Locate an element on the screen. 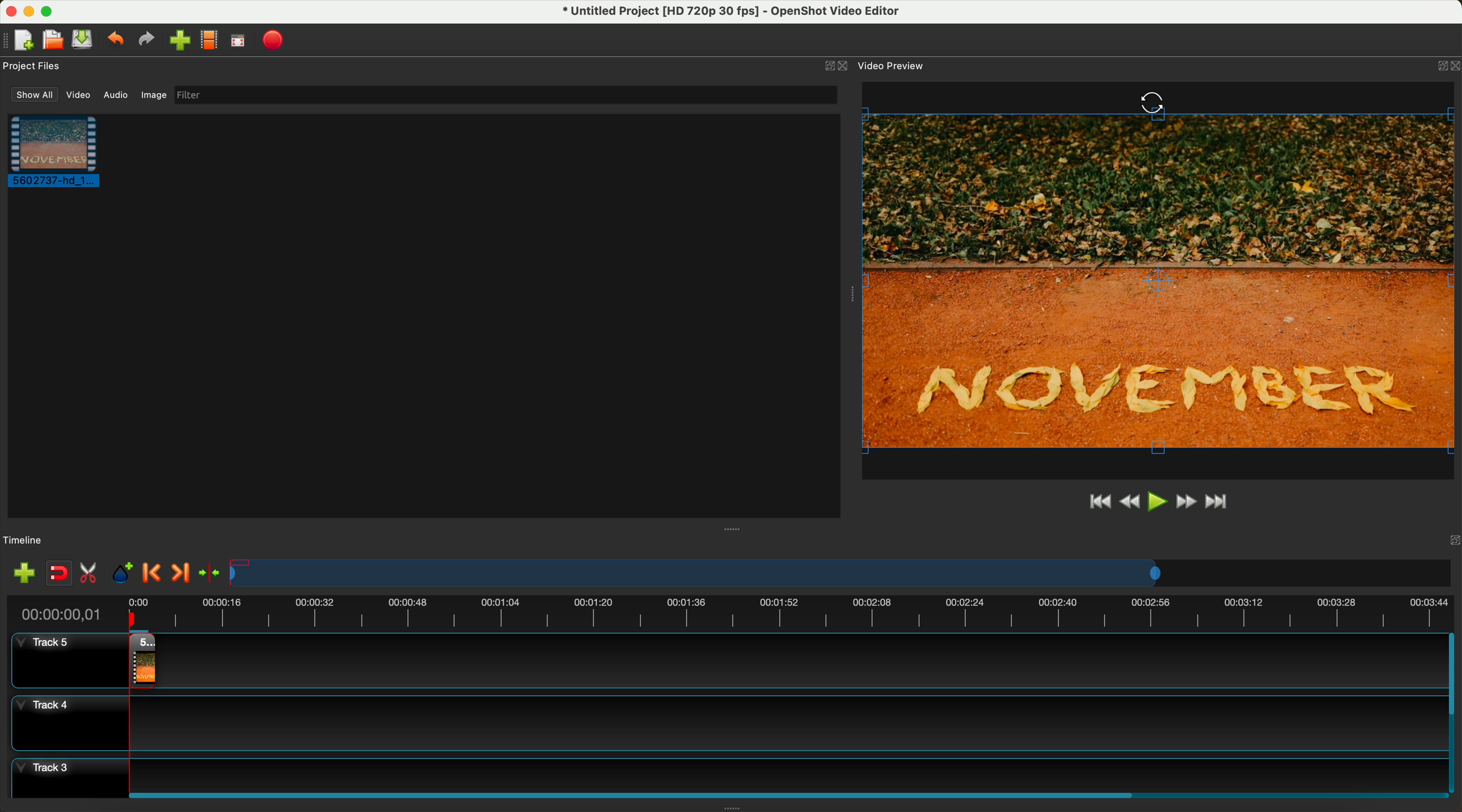 Image resolution: width=1462 pixels, height=812 pixels. file name is located at coordinates (736, 14).